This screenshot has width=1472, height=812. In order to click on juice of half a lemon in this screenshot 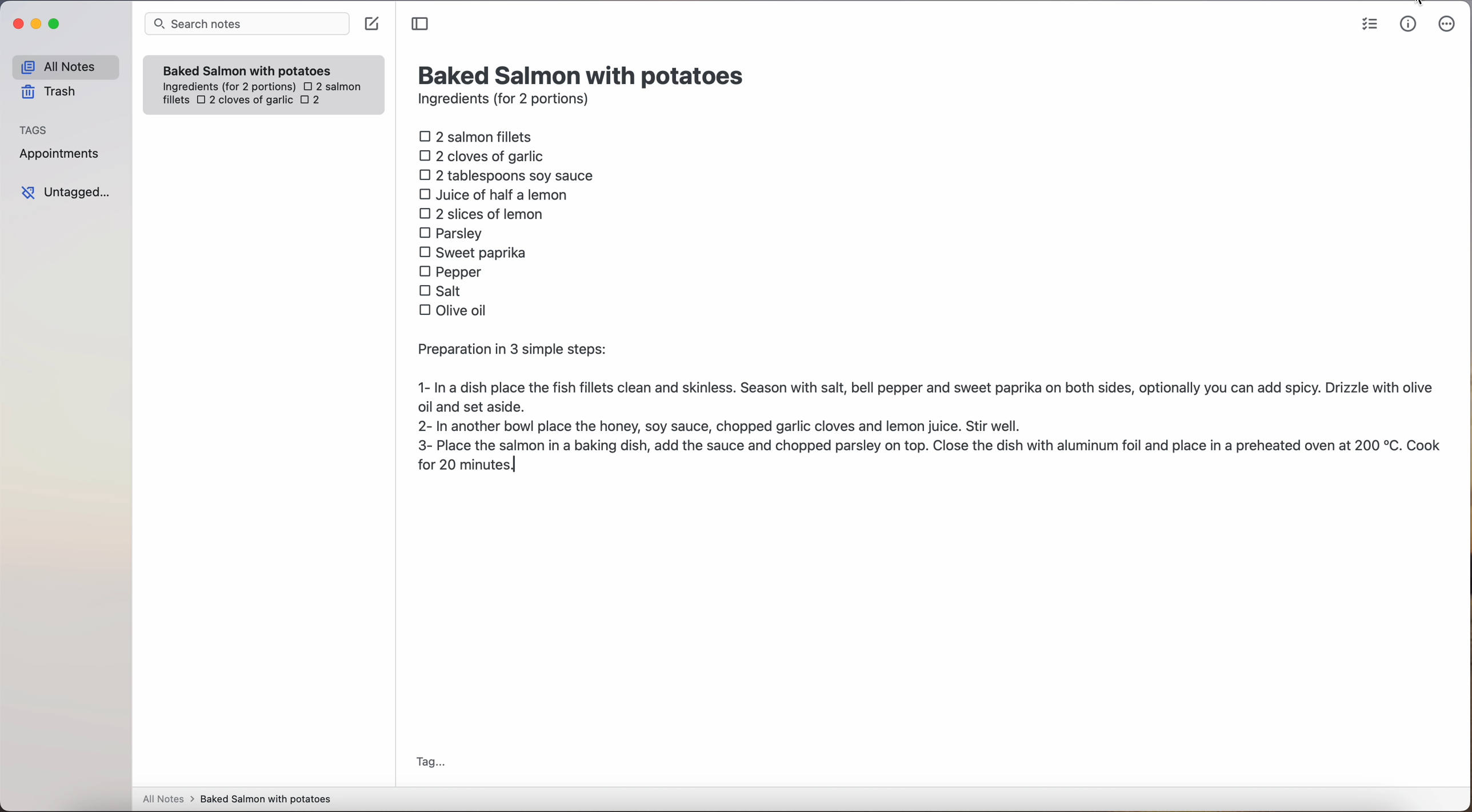, I will do `click(497, 194)`.